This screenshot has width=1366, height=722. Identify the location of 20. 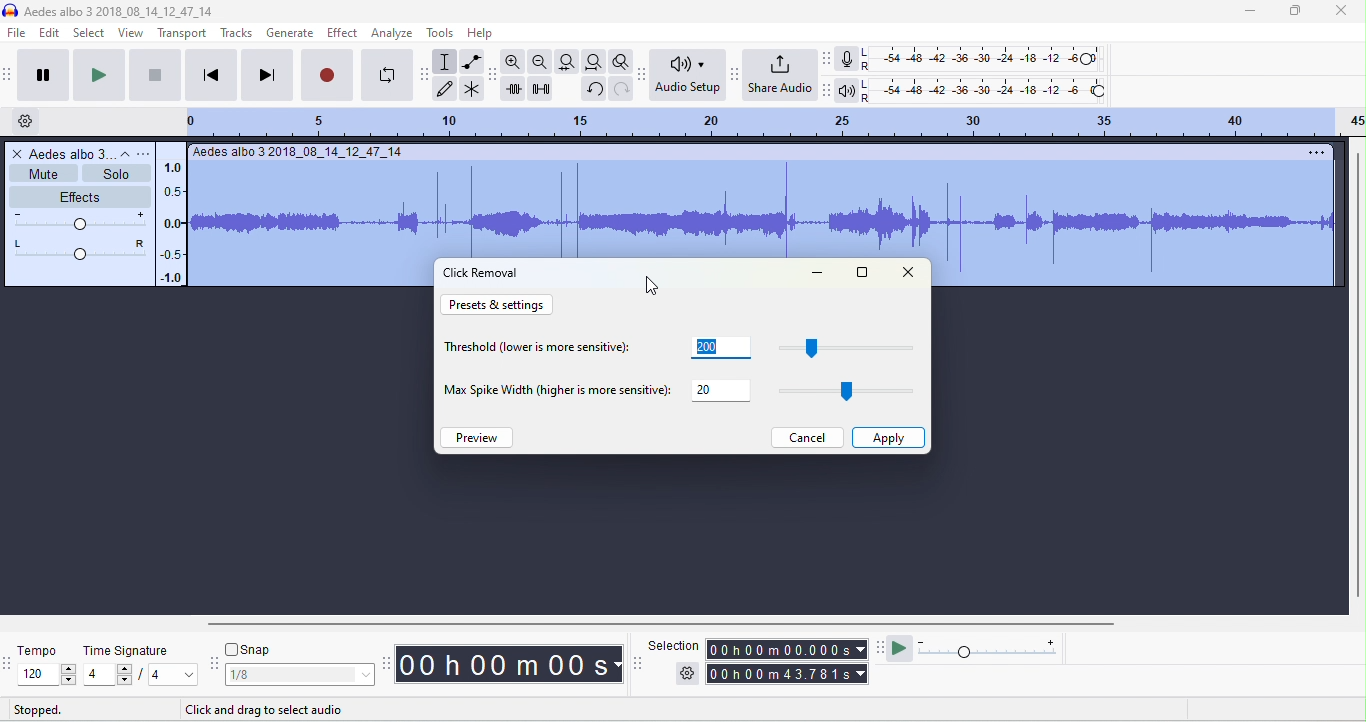
(720, 391).